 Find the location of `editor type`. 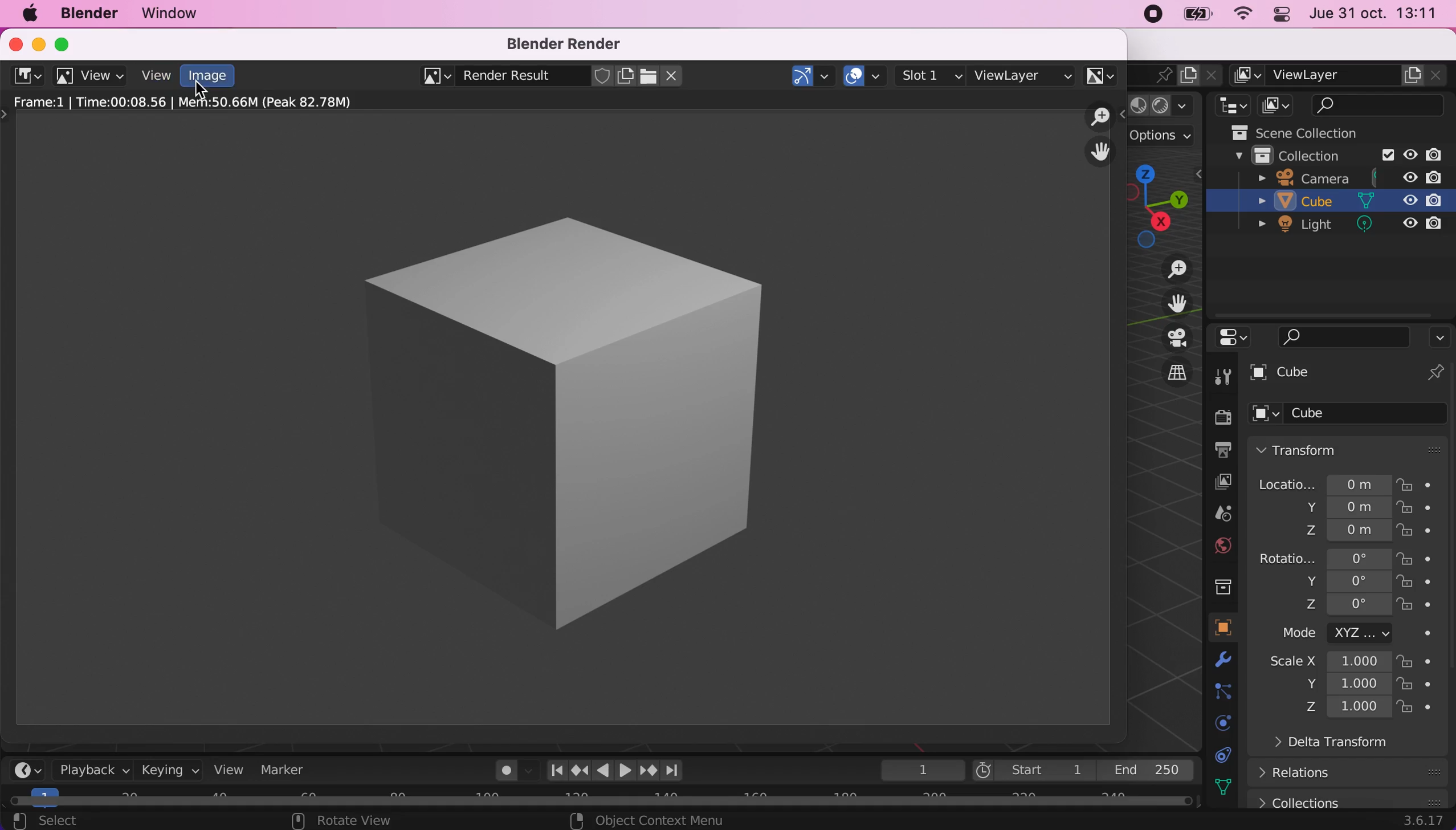

editor type is located at coordinates (1229, 105).